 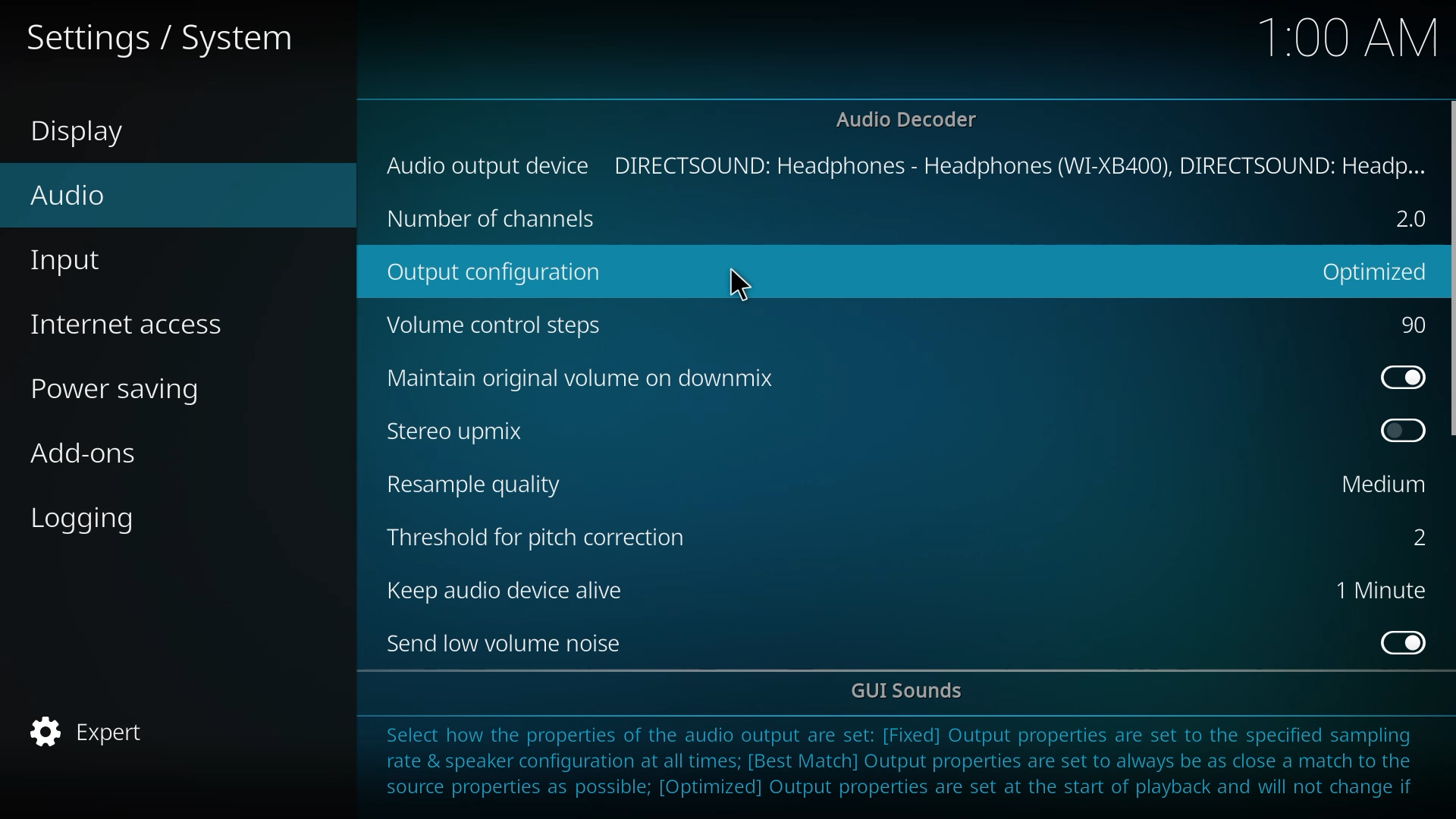 What do you see at coordinates (94, 518) in the screenshot?
I see `logging` at bounding box center [94, 518].